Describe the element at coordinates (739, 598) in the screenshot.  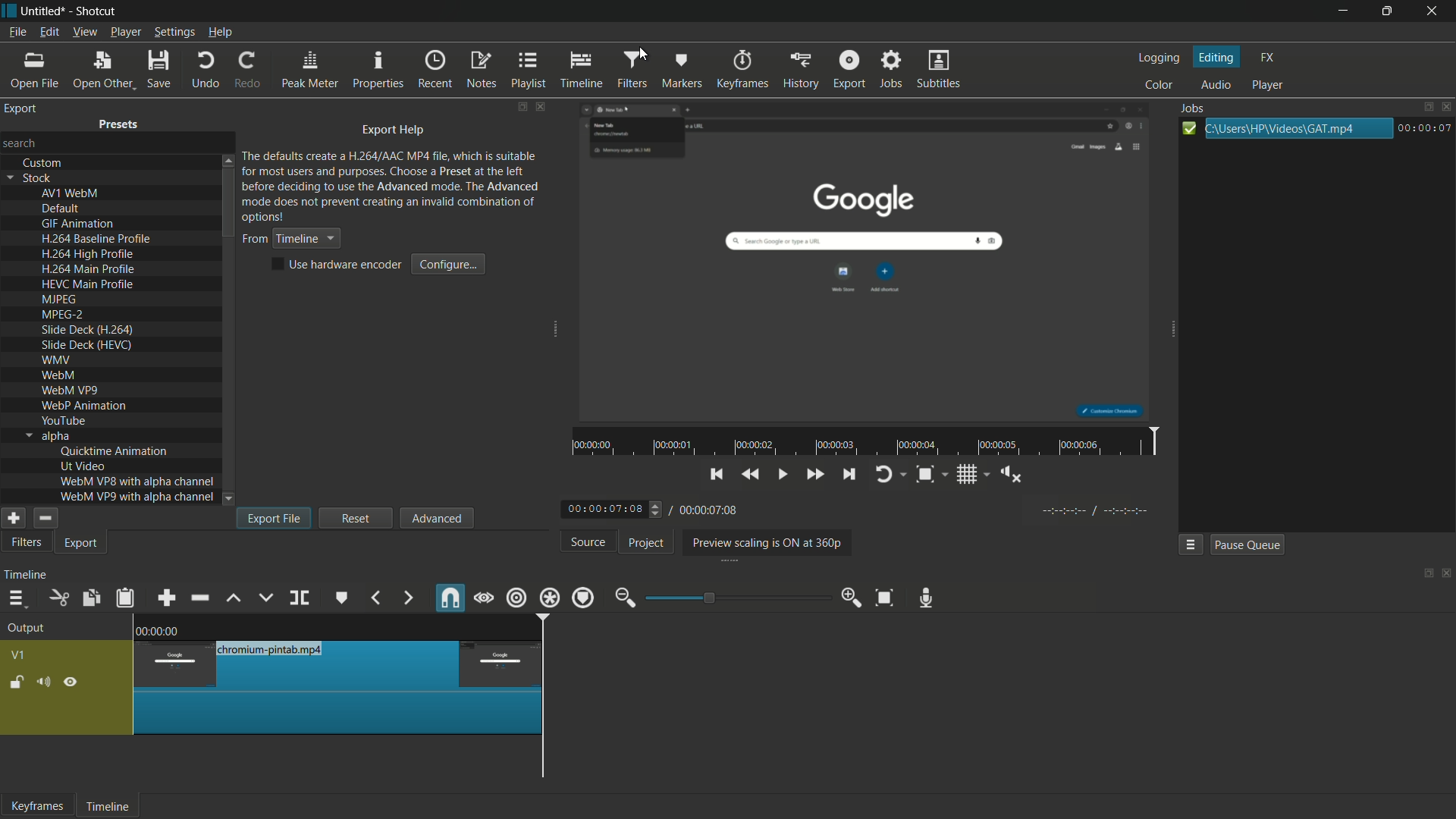
I see `adjustment bar` at that location.